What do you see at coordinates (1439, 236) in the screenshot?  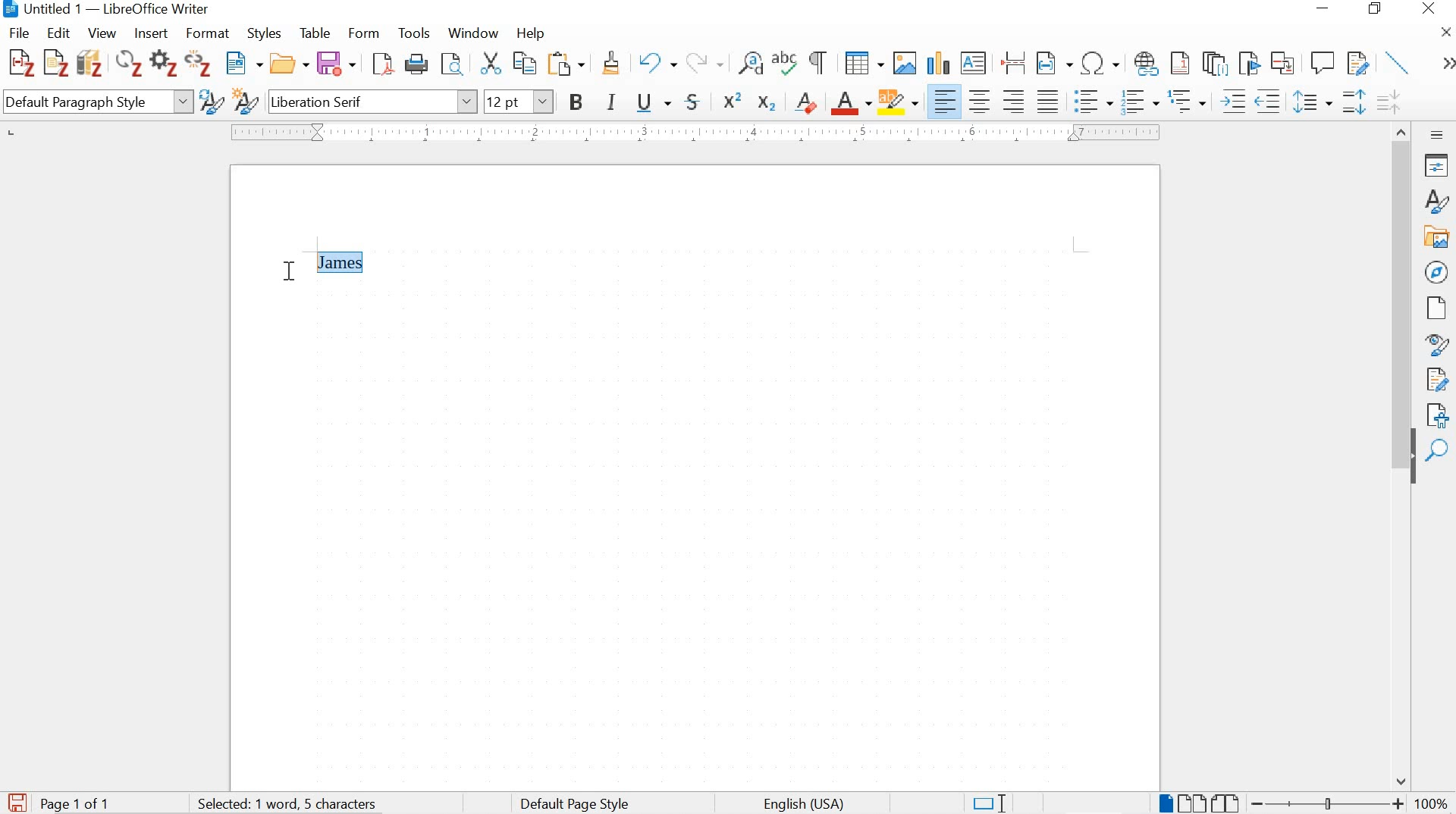 I see `gallery` at bounding box center [1439, 236].